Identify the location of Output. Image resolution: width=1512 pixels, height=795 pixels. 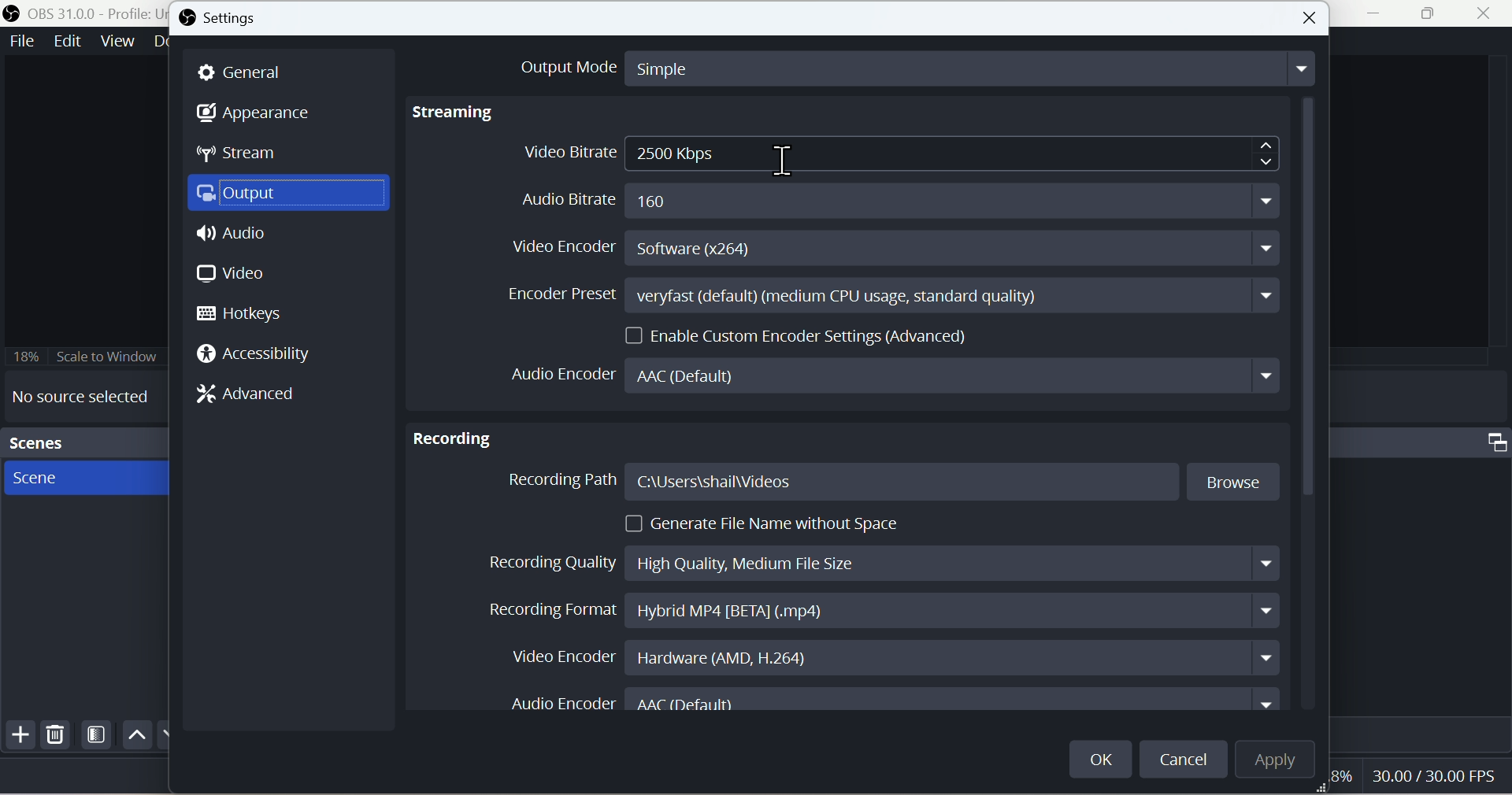
(293, 197).